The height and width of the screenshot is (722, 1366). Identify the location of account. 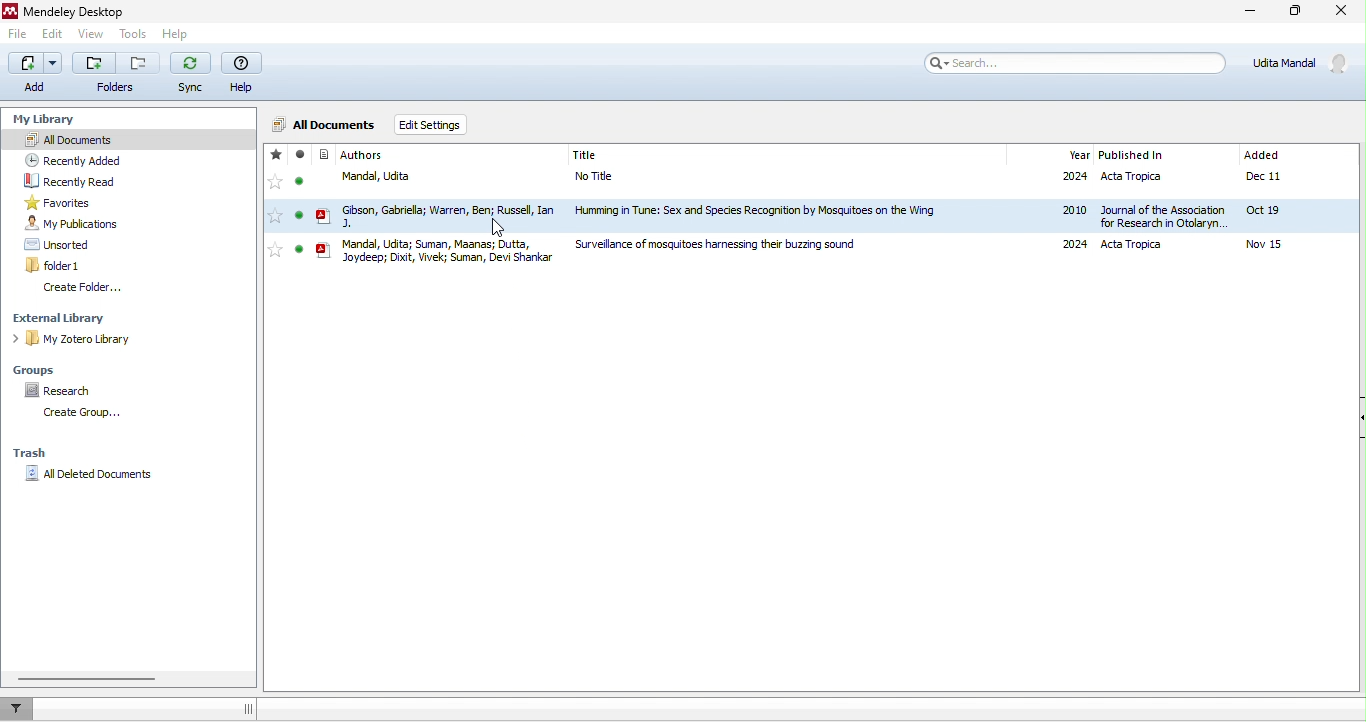
(1297, 66).